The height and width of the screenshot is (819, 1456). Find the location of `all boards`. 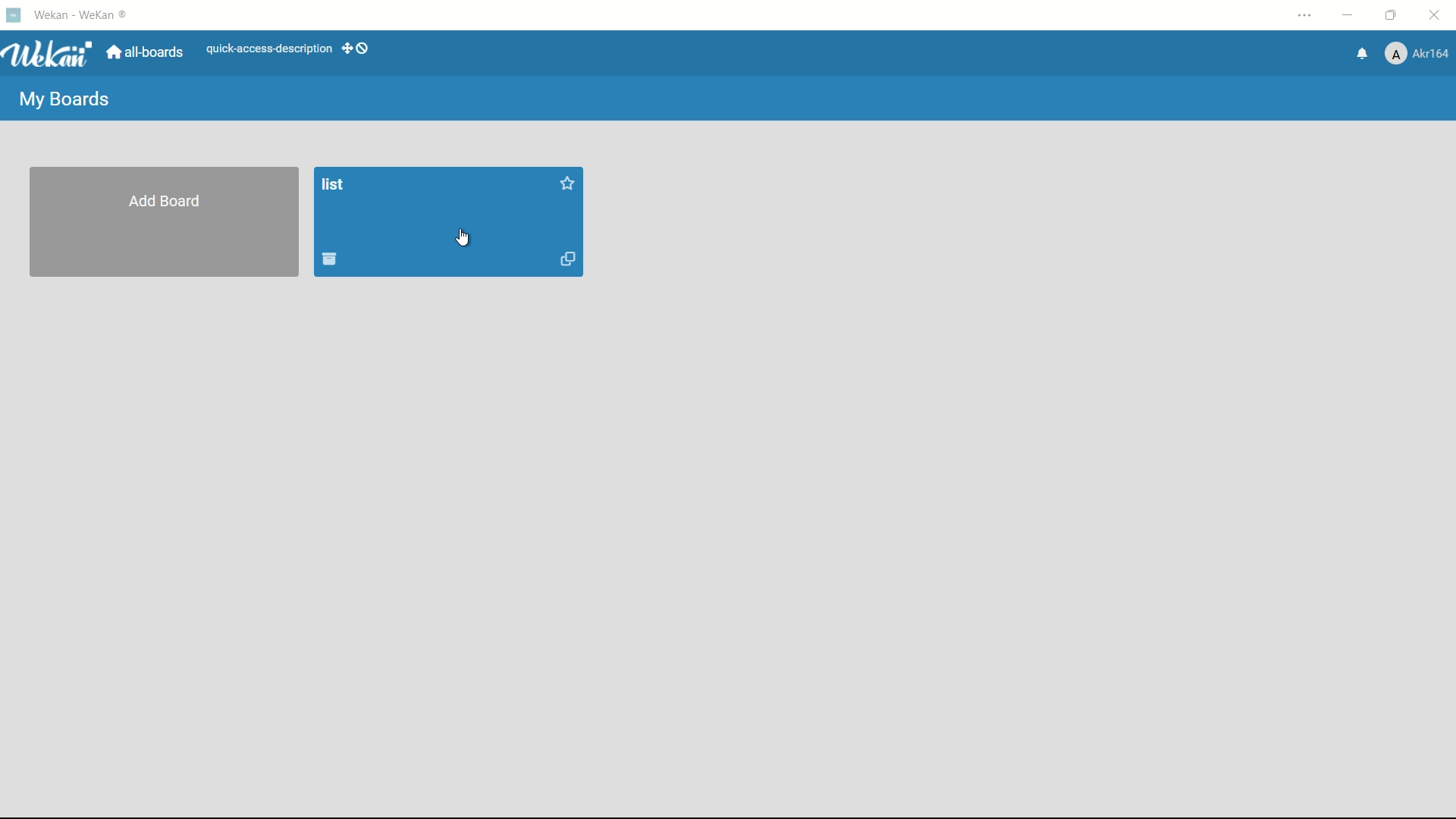

all boards is located at coordinates (146, 53).